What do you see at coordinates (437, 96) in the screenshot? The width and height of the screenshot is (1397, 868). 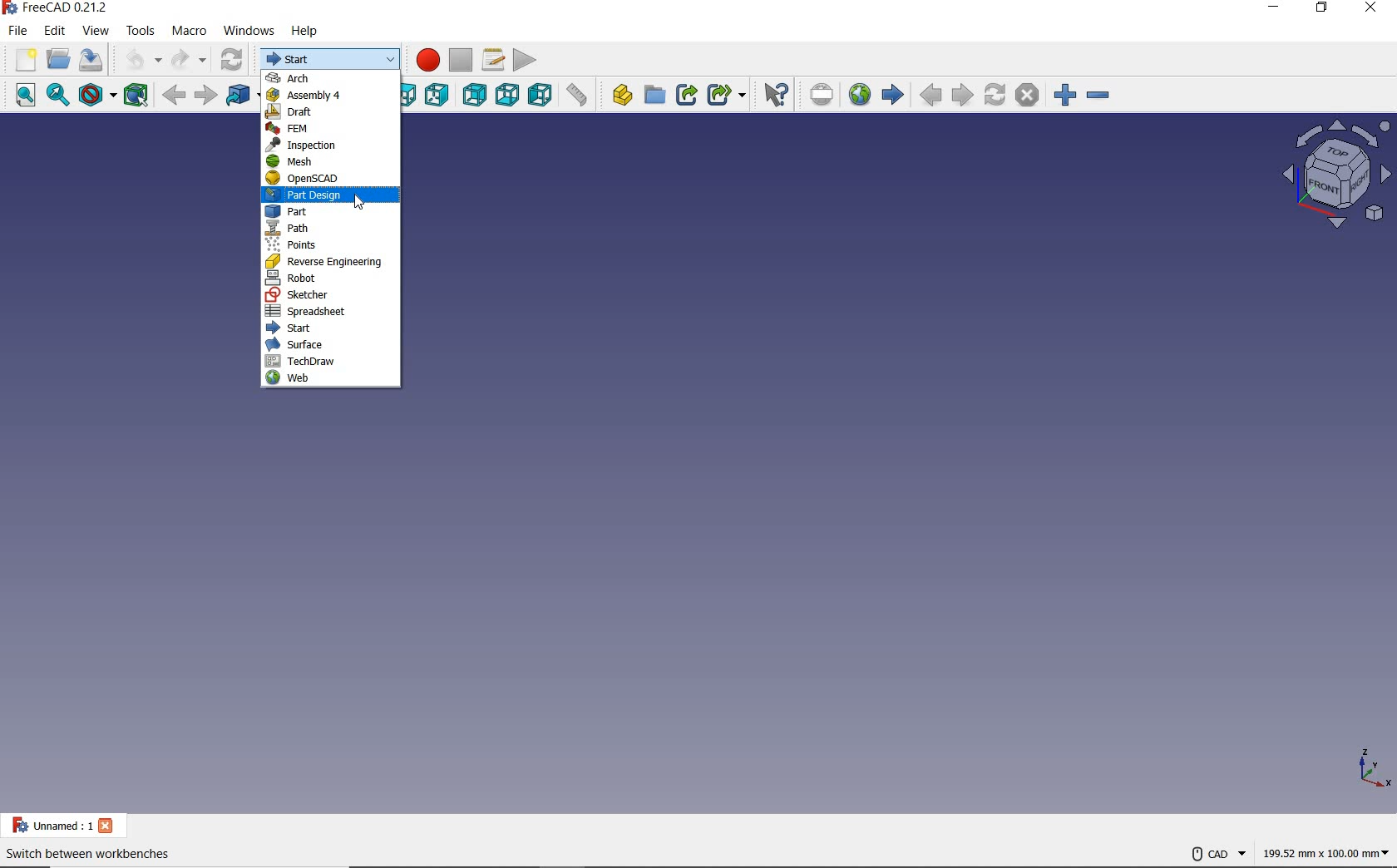 I see `RIGHT` at bounding box center [437, 96].